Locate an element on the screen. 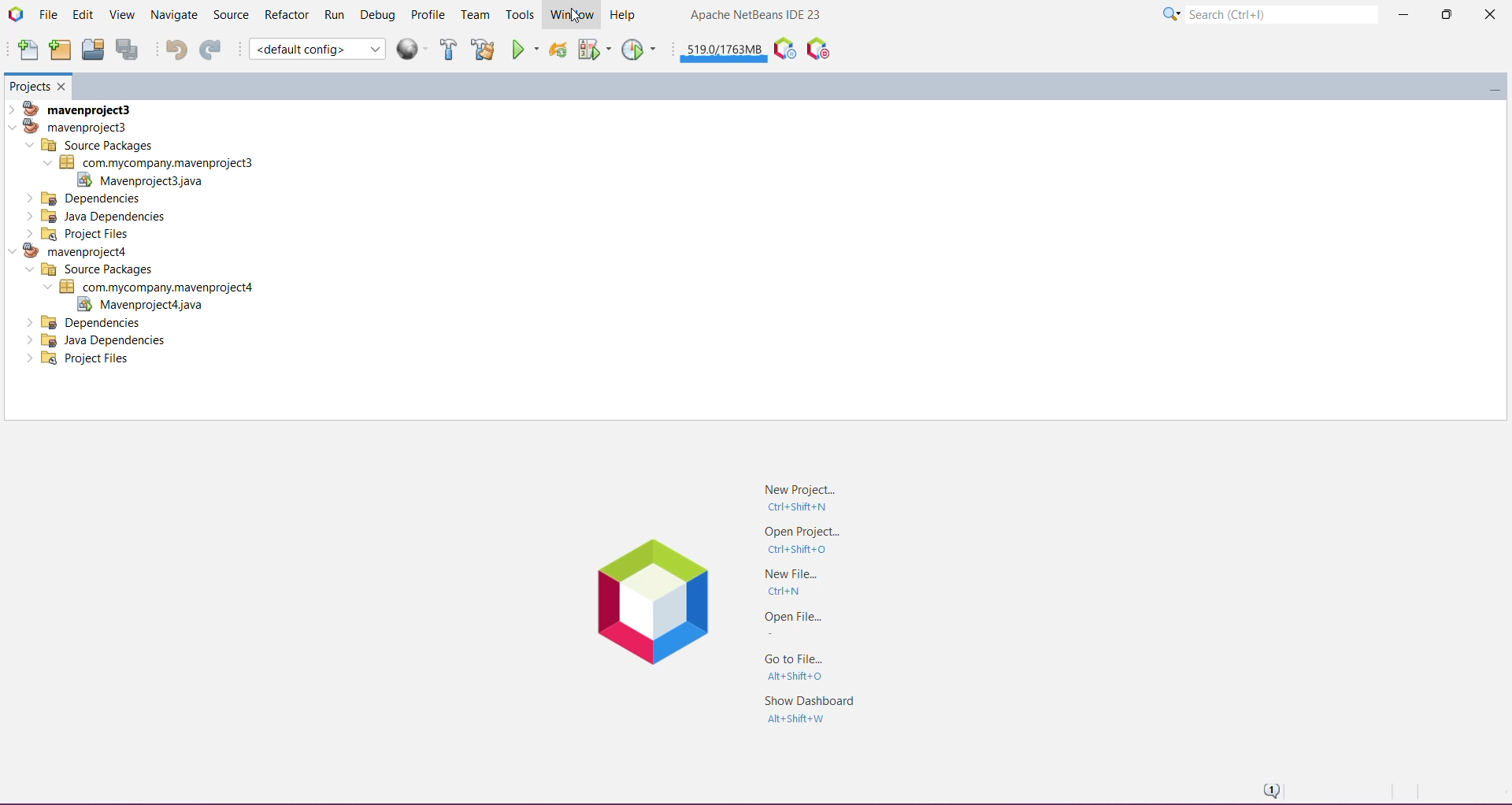 Image resolution: width=1512 pixels, height=805 pixels. File is located at coordinates (48, 14).